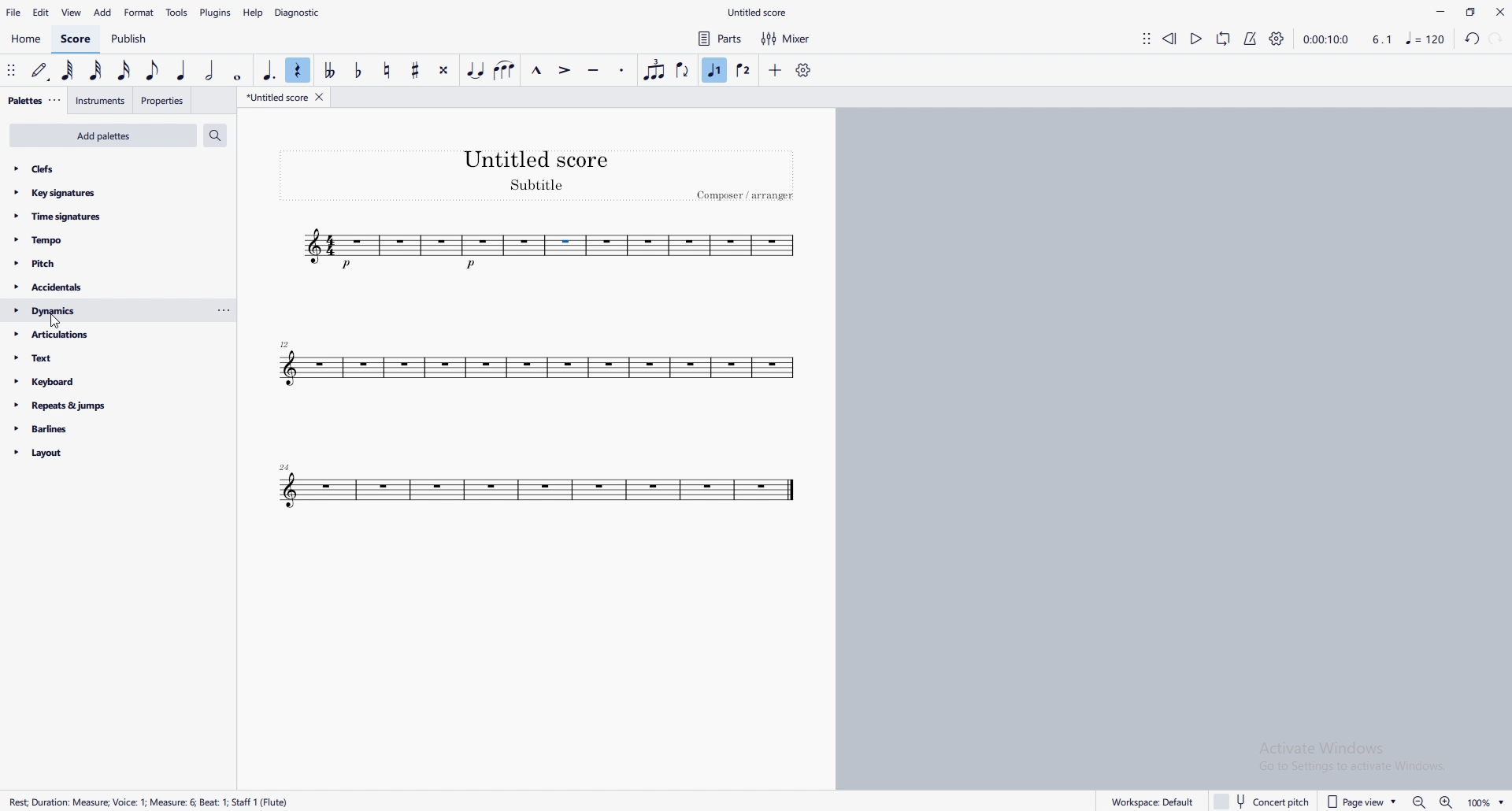  Describe the element at coordinates (722, 39) in the screenshot. I see `parts` at that location.